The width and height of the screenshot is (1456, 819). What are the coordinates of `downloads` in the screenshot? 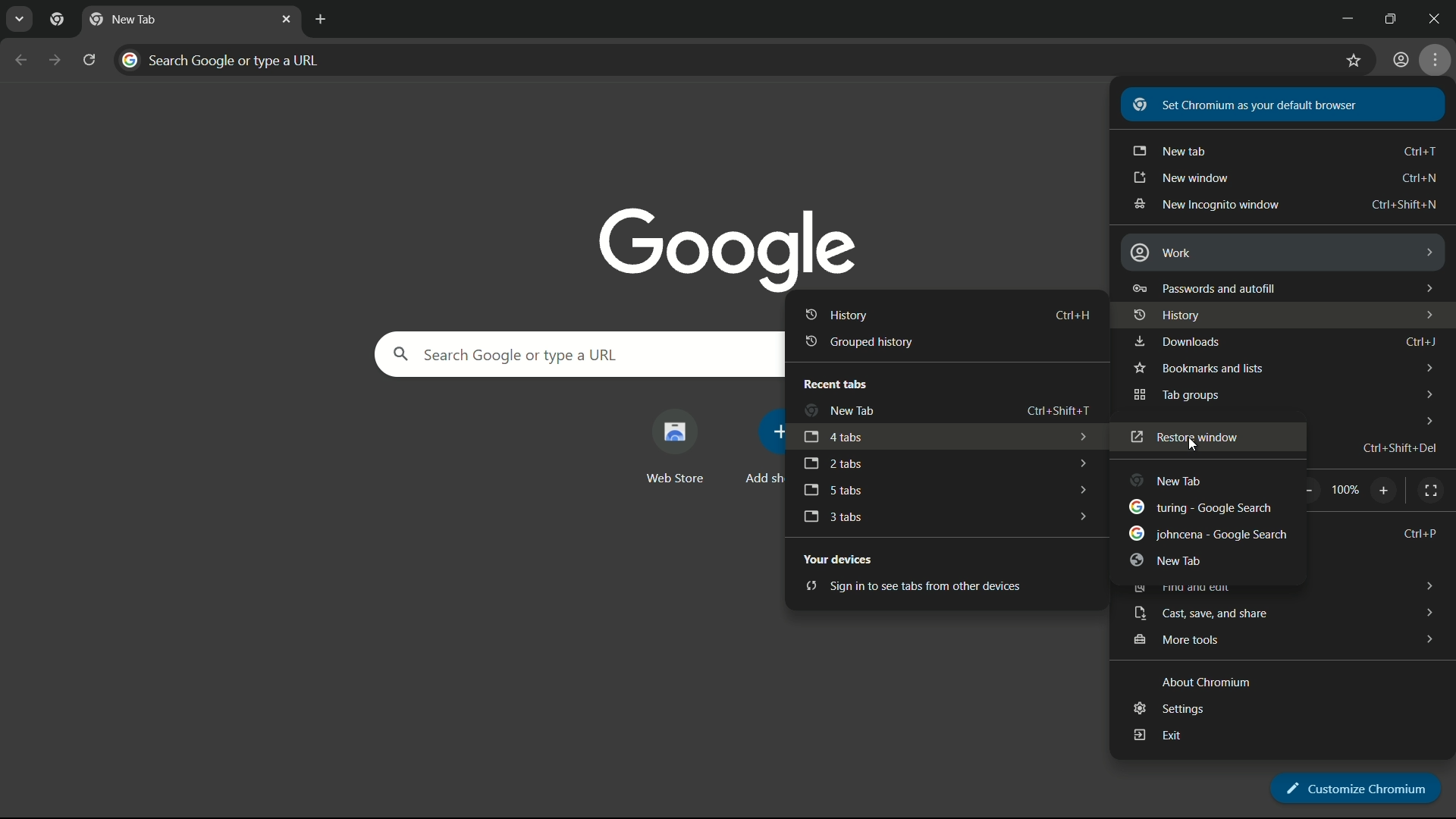 It's located at (1176, 343).